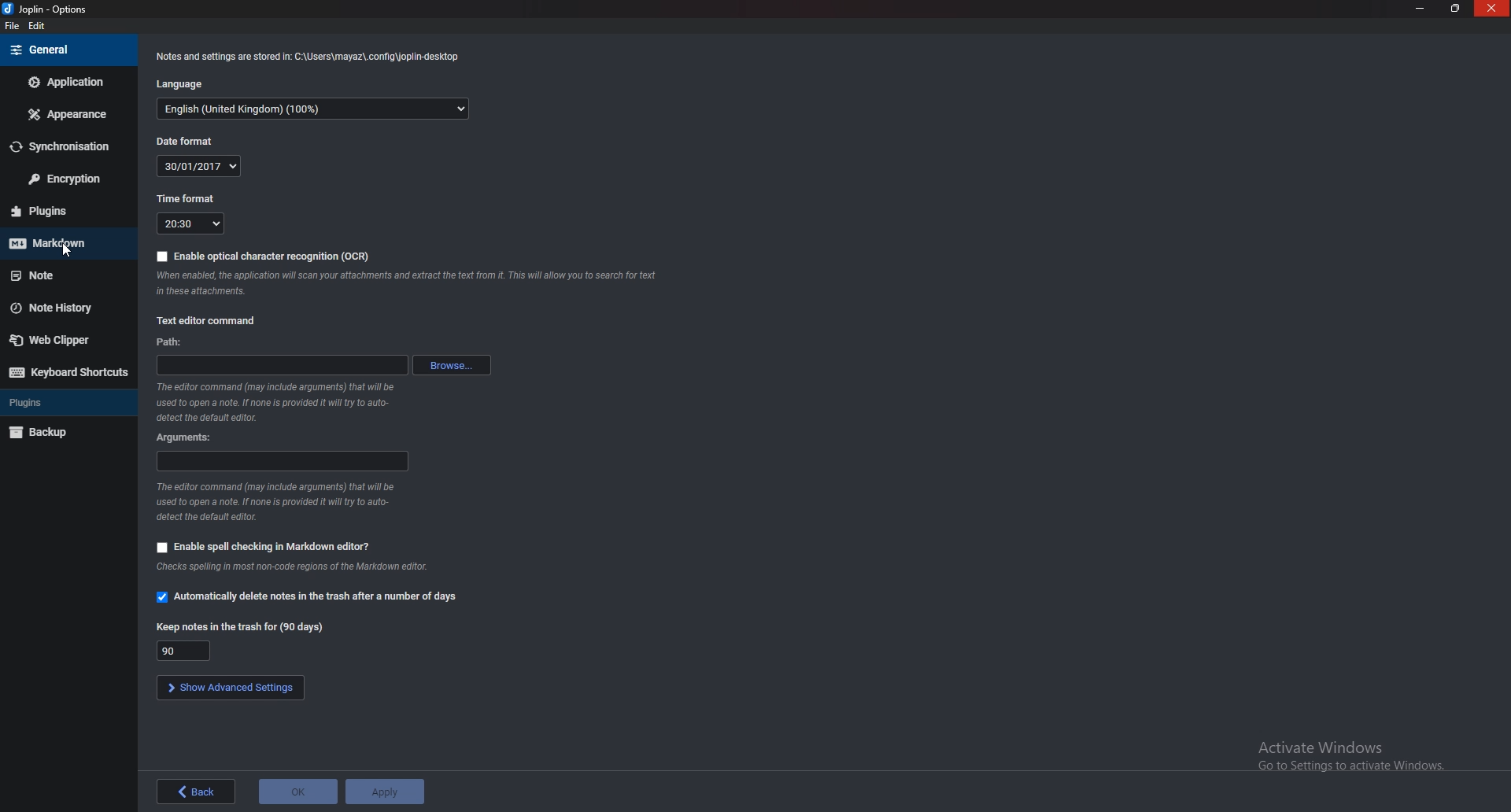  What do you see at coordinates (65, 50) in the screenshot?
I see `general` at bounding box center [65, 50].